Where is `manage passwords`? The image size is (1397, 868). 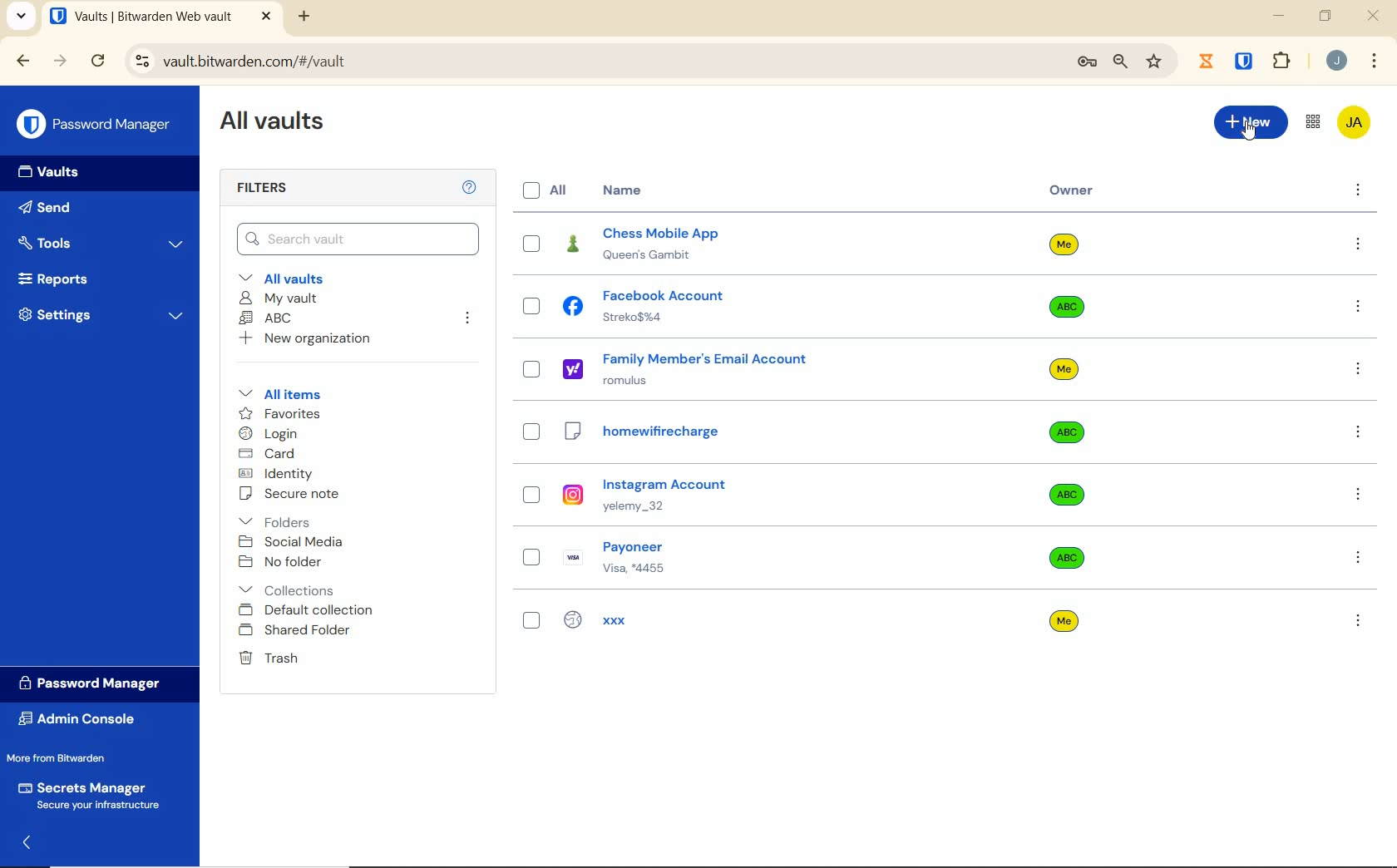 manage passwords is located at coordinates (1087, 63).